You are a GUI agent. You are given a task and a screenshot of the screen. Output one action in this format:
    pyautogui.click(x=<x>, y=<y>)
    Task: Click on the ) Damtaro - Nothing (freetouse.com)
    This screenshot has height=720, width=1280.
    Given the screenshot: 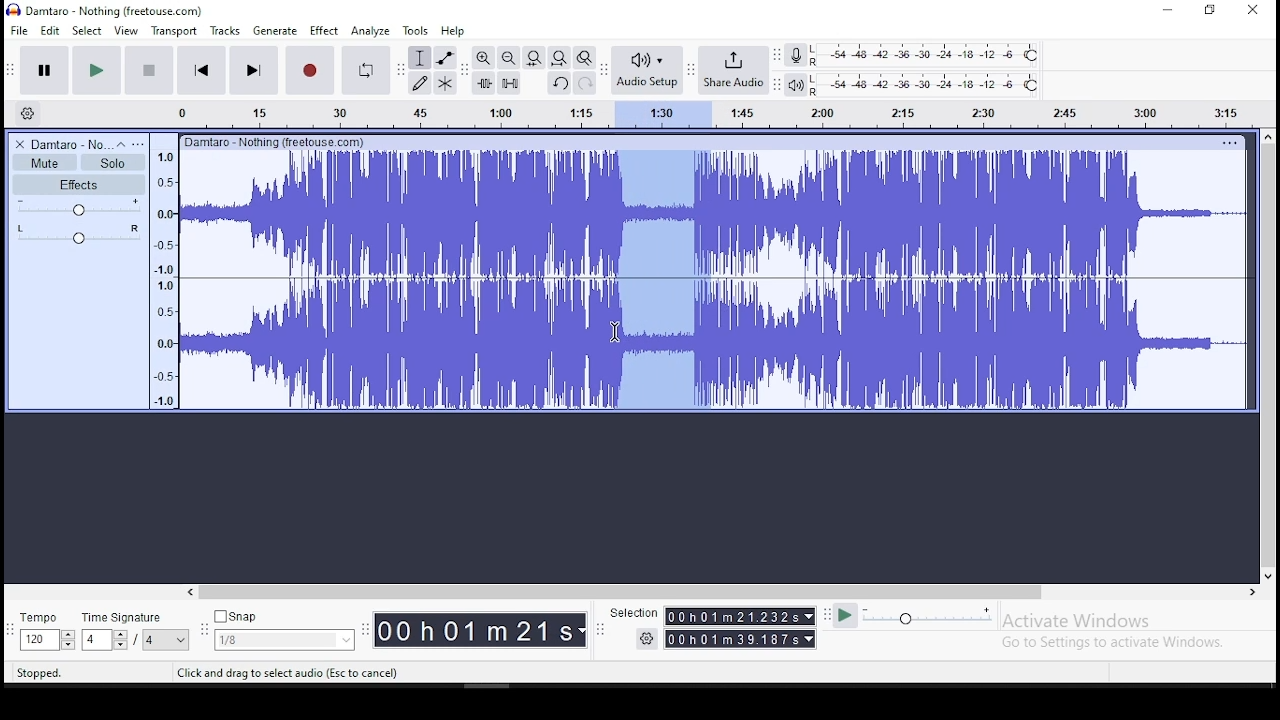 What is the action you would take?
    pyautogui.click(x=107, y=10)
    